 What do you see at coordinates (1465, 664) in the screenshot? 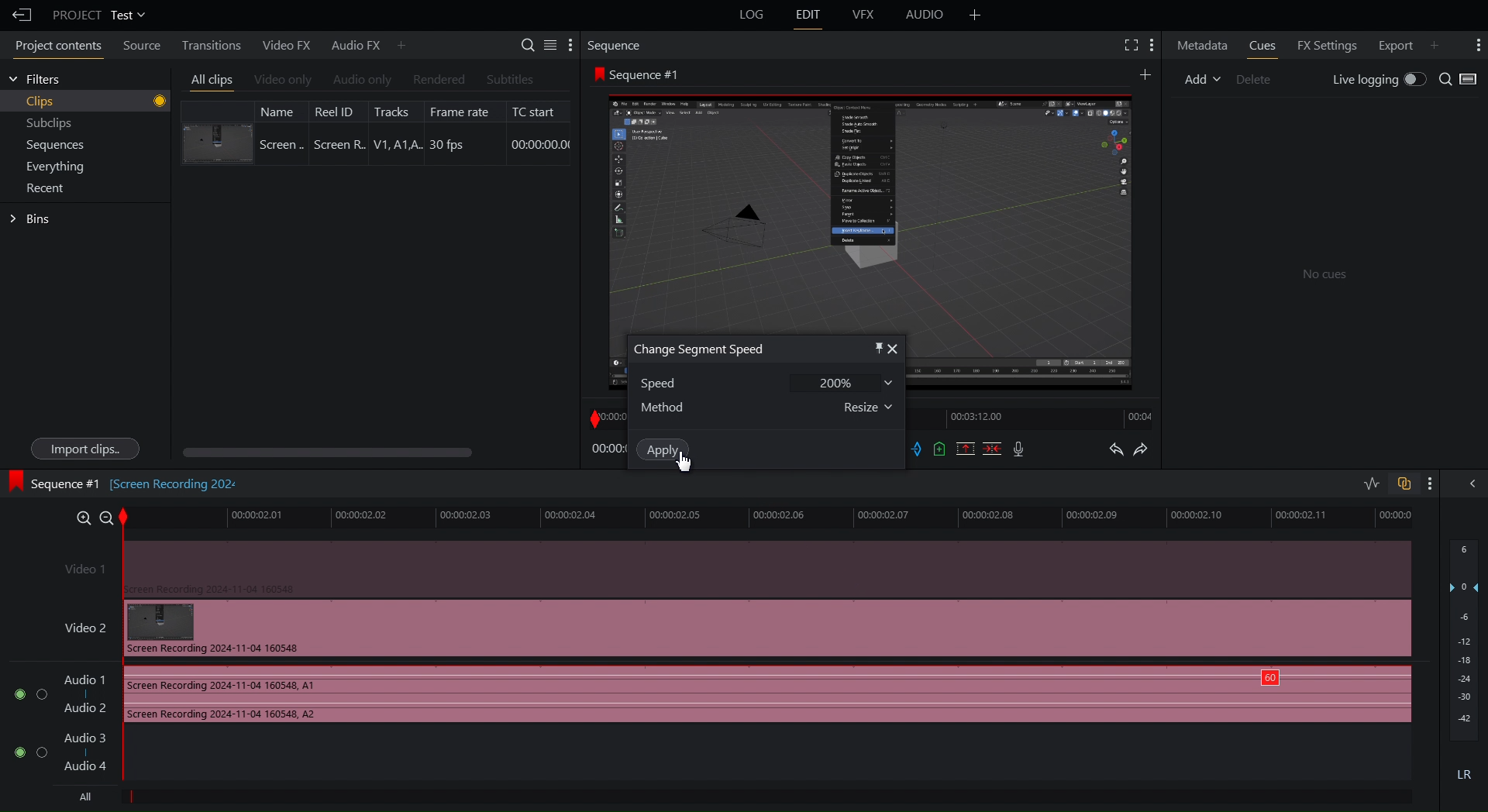
I see `Audio Level` at bounding box center [1465, 664].